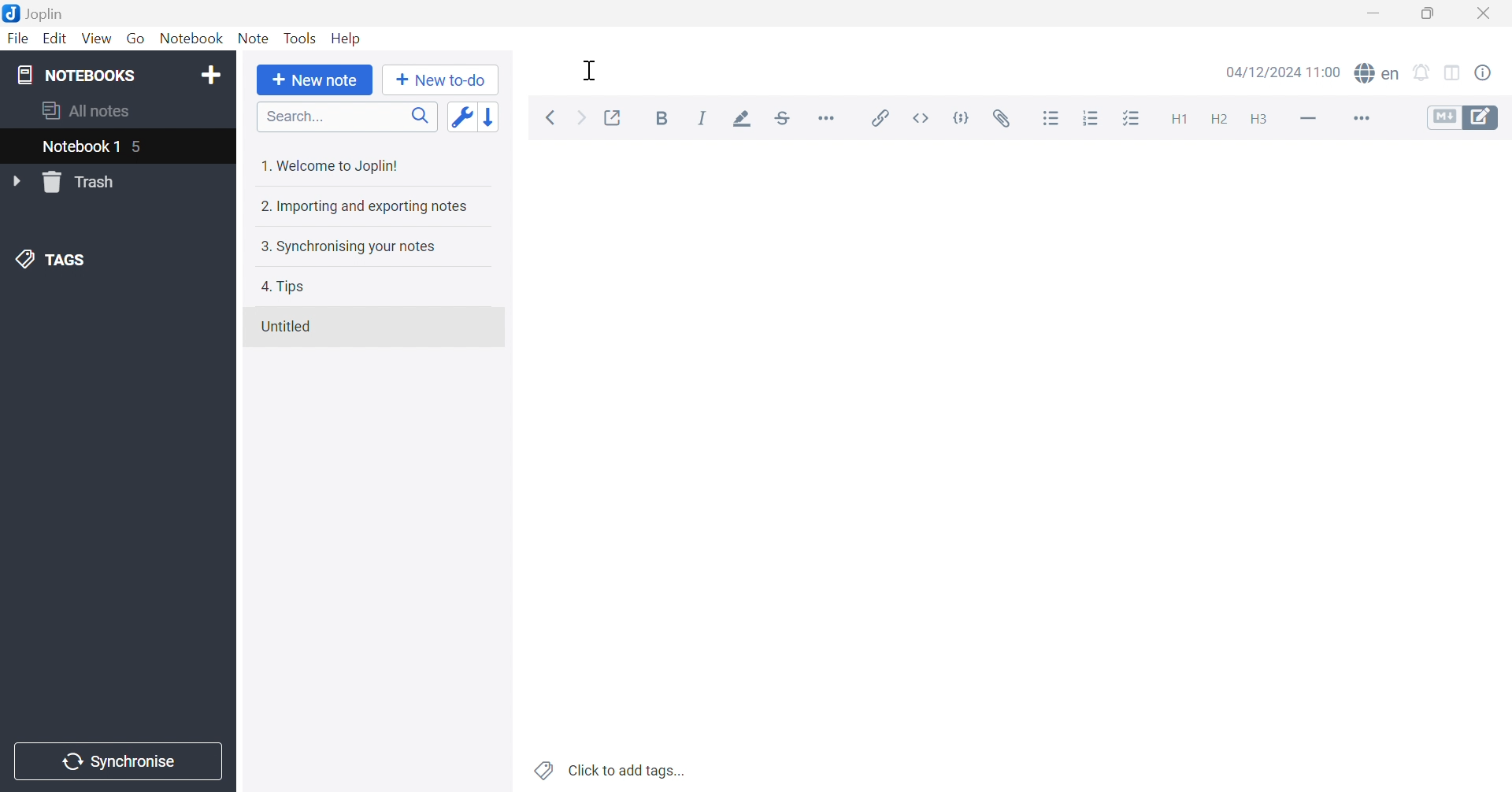  Describe the element at coordinates (1363, 120) in the screenshot. I see `More` at that location.